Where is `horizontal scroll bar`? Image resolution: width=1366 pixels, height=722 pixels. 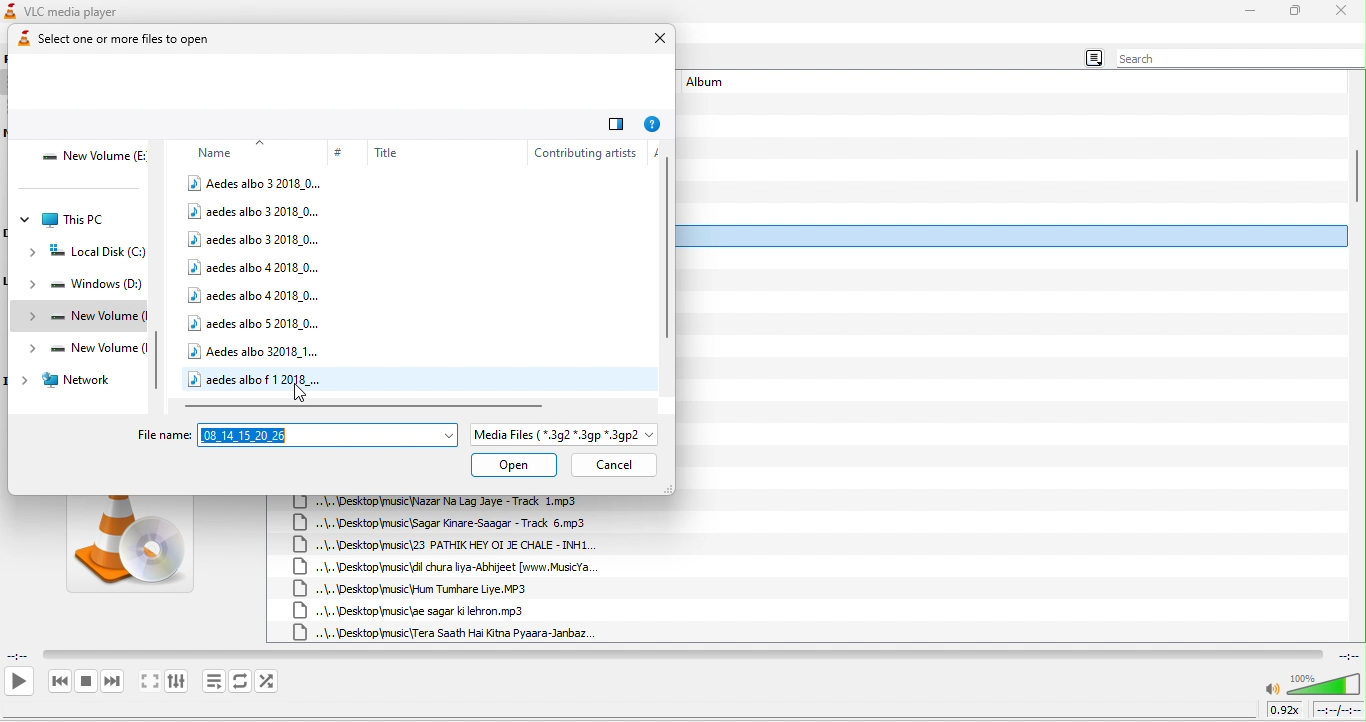 horizontal scroll bar is located at coordinates (367, 405).